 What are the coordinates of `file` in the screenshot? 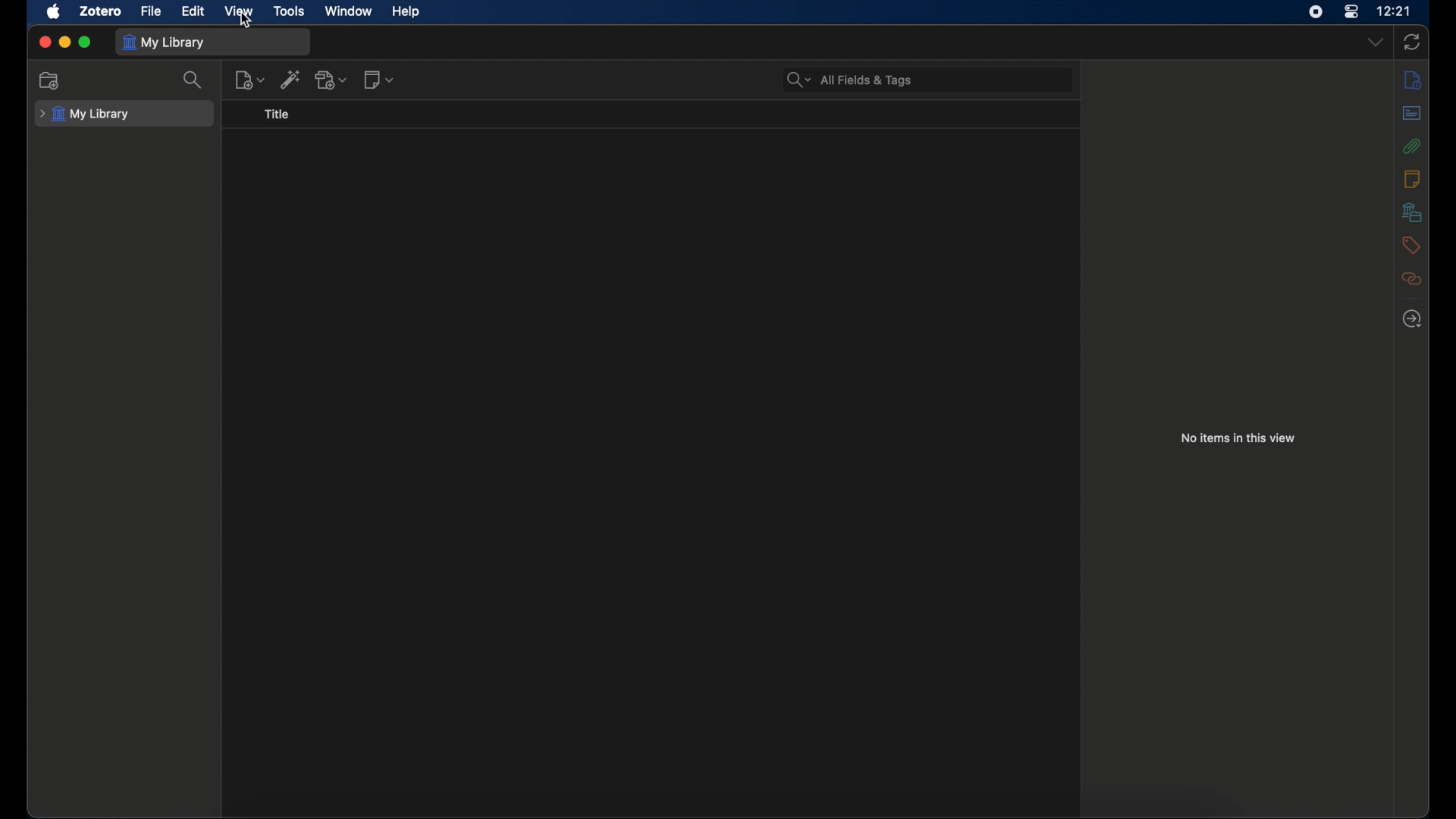 It's located at (152, 11).